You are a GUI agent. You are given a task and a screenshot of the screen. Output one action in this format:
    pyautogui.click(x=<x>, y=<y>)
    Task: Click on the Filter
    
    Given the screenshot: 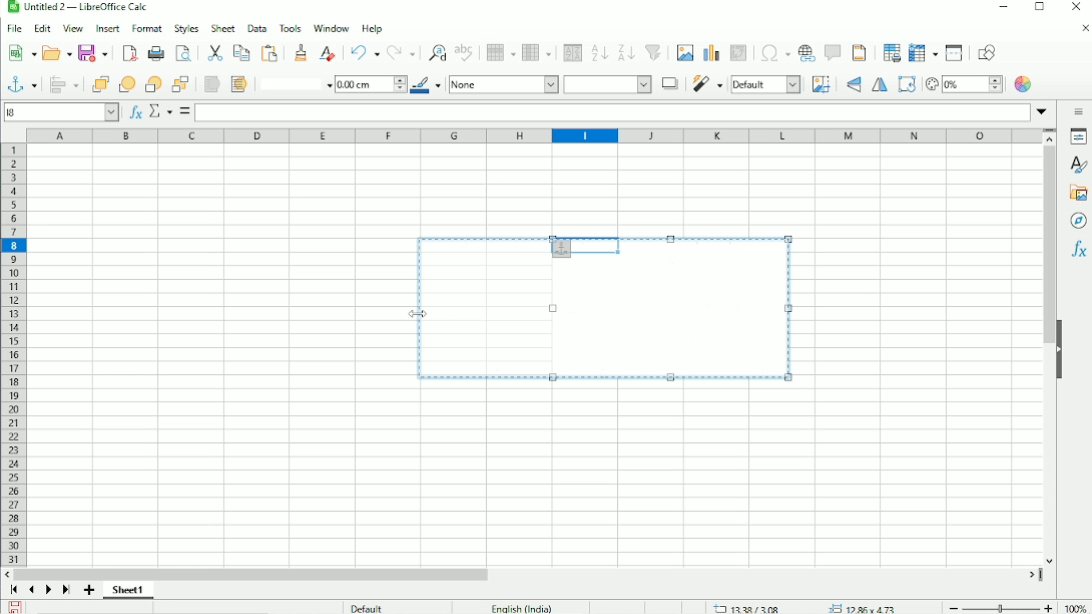 What is the action you would take?
    pyautogui.click(x=707, y=84)
    